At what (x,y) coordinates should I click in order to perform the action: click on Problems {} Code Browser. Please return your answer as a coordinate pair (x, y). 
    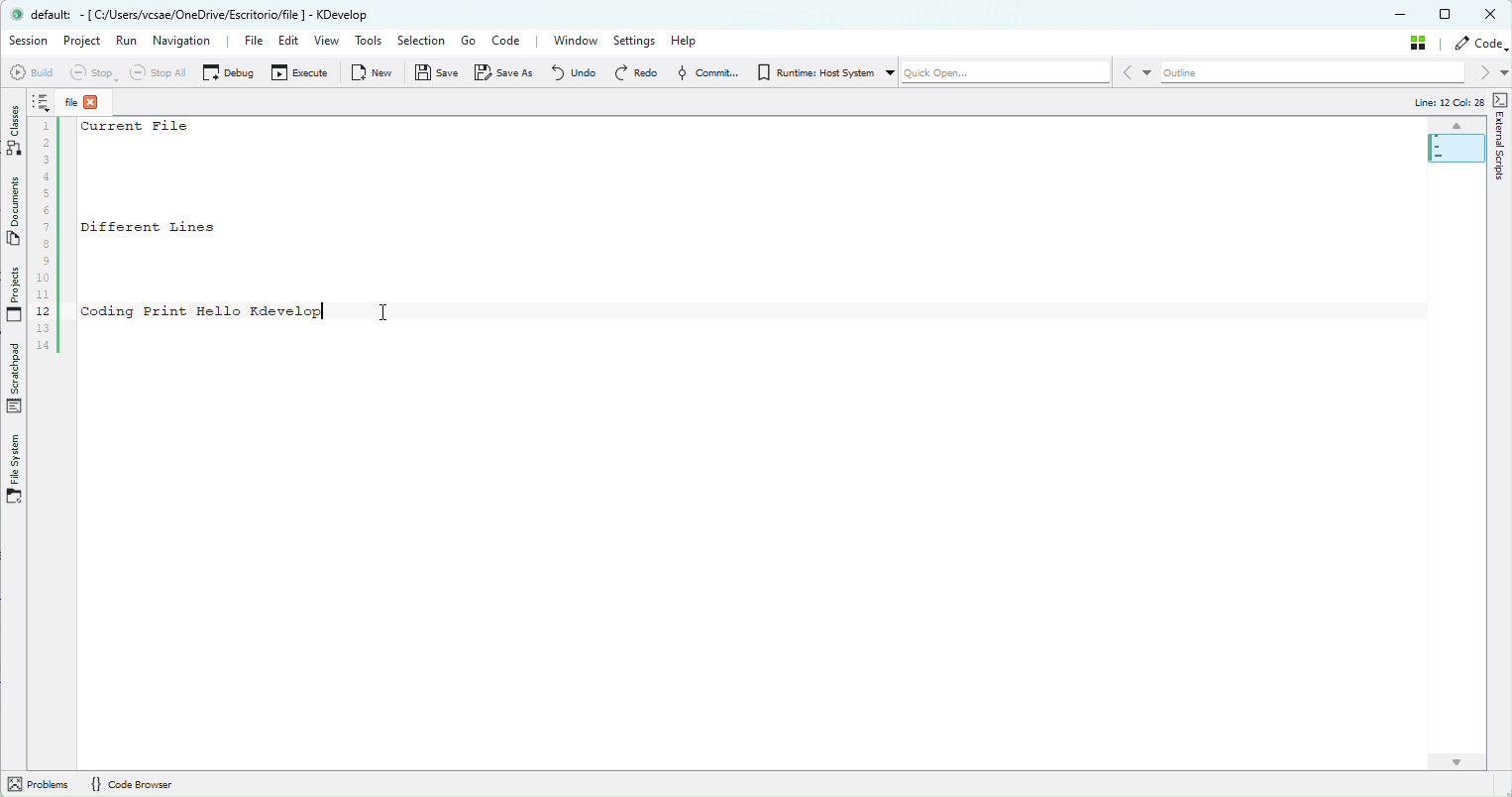
    Looking at the image, I should click on (112, 785).